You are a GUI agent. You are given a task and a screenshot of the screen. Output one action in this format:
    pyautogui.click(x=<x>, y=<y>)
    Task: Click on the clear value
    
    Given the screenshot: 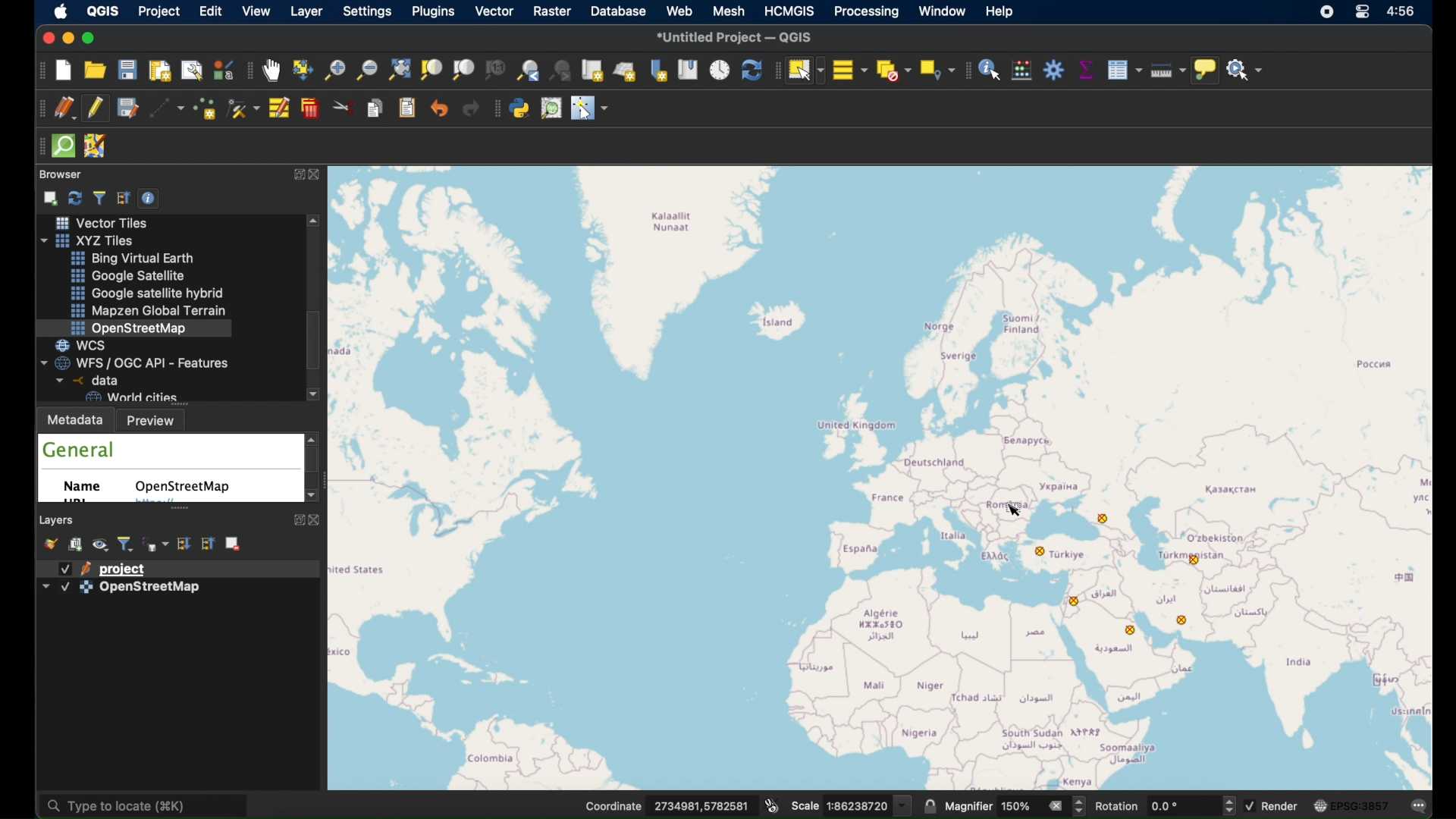 What is the action you would take?
    pyautogui.click(x=1055, y=805)
    